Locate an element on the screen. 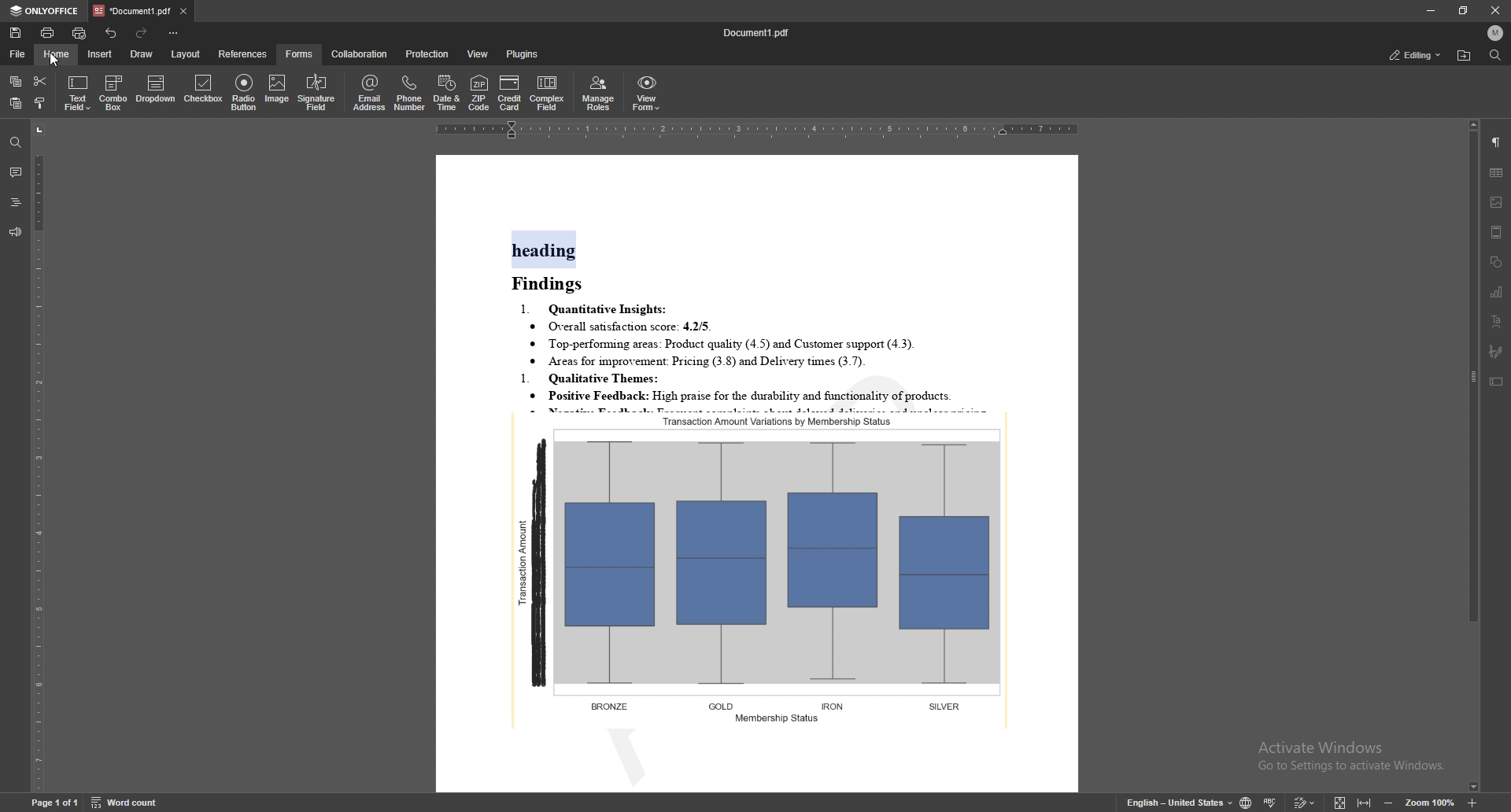 This screenshot has height=812, width=1511. home is located at coordinates (57, 54).